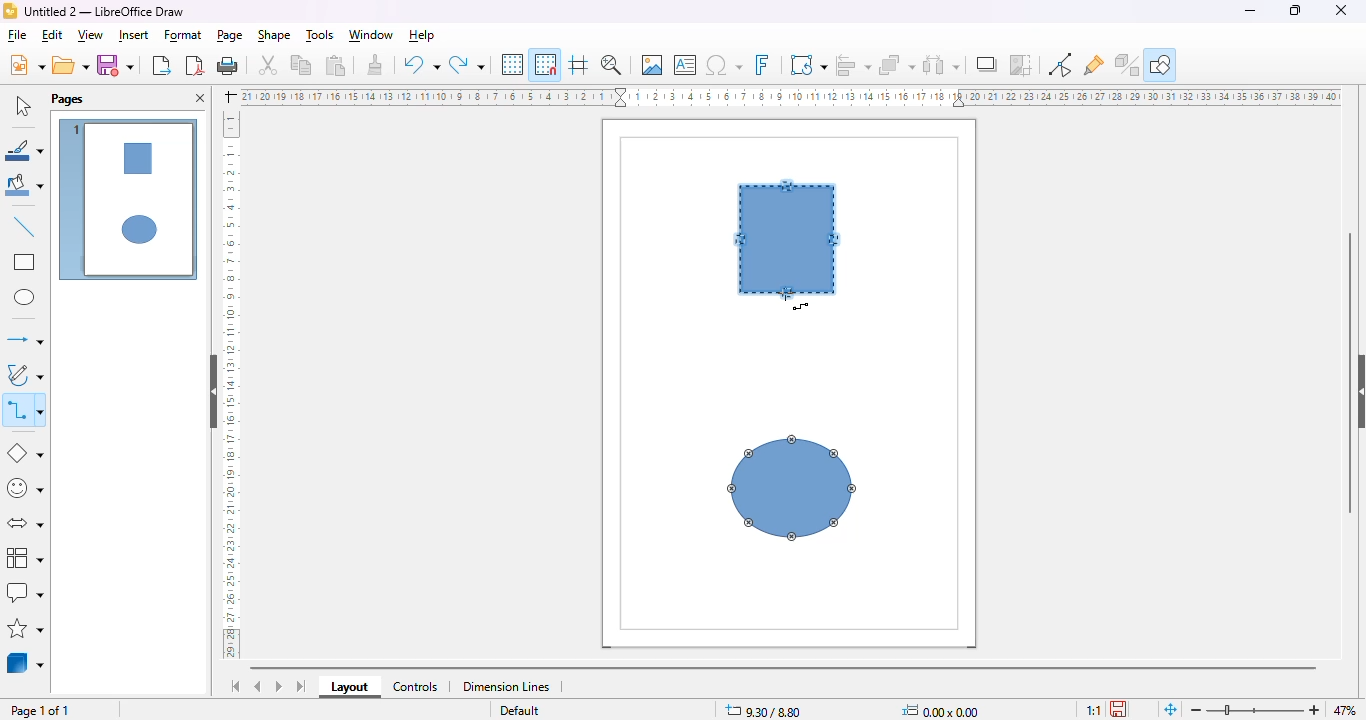  Describe the element at coordinates (24, 297) in the screenshot. I see `ellipse` at that location.